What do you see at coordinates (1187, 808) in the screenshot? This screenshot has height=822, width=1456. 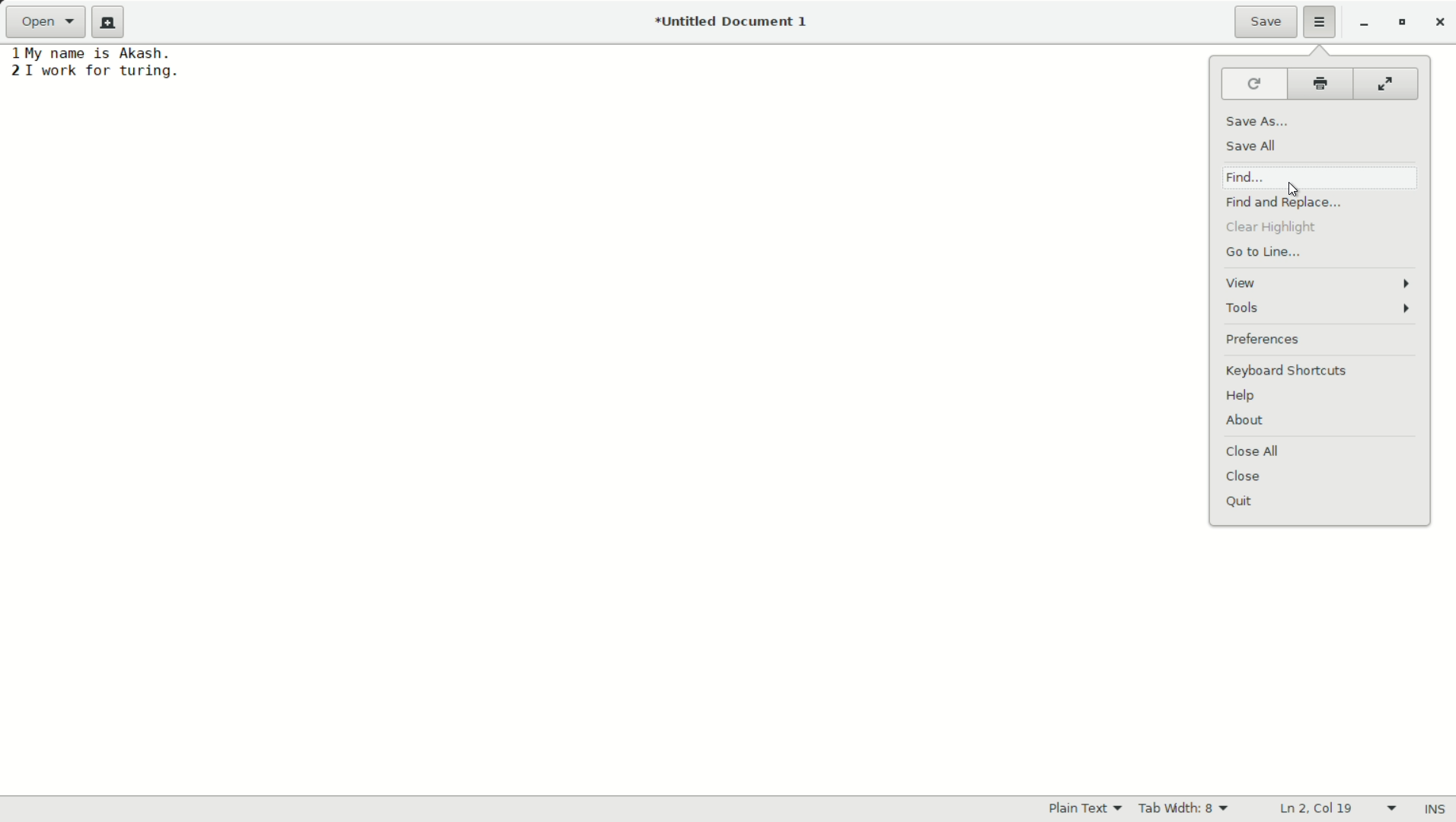 I see `tab width` at bounding box center [1187, 808].